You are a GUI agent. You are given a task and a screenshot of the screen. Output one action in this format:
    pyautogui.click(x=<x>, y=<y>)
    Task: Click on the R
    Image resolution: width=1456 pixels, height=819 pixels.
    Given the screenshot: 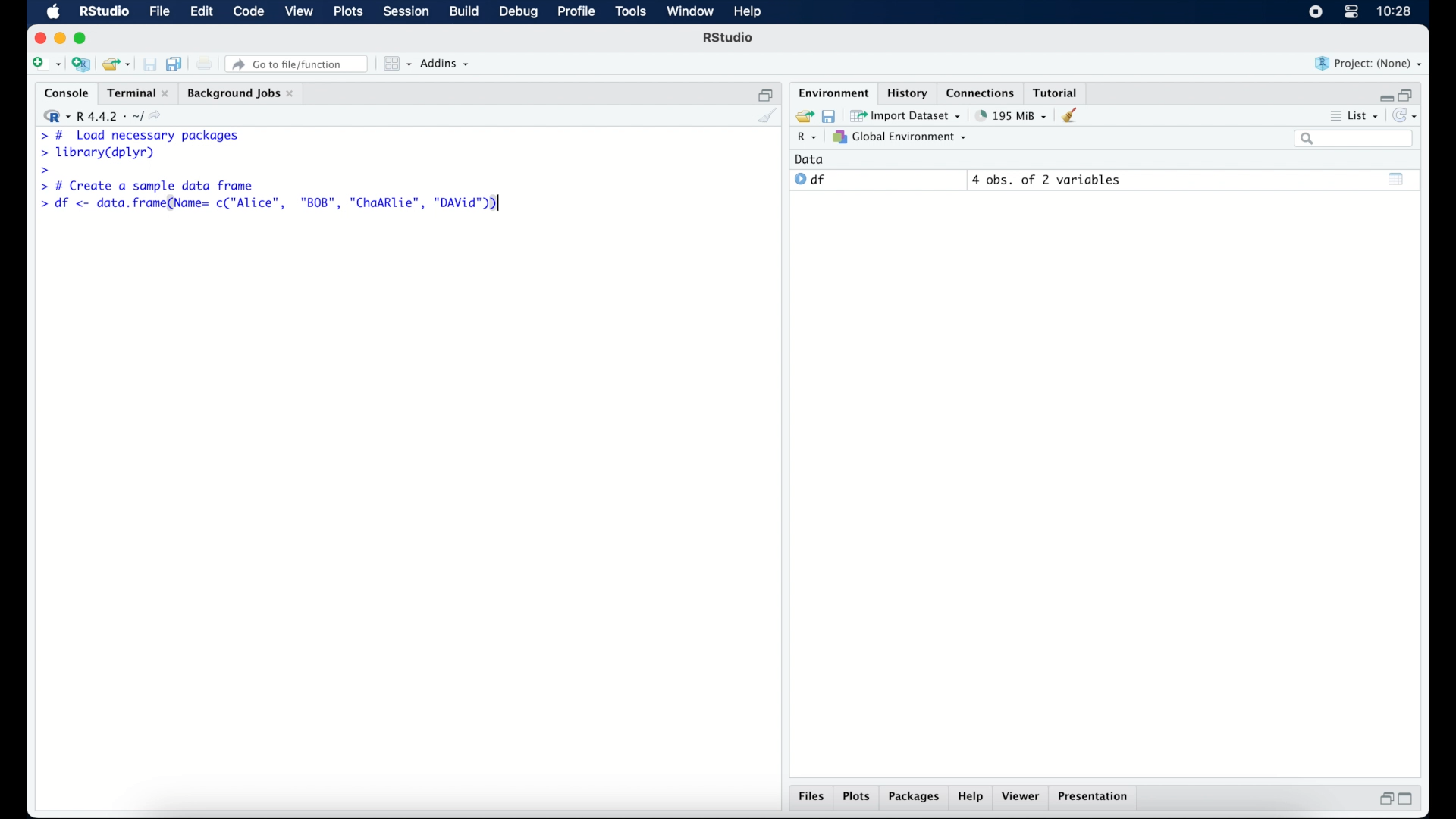 What is the action you would take?
    pyautogui.click(x=805, y=139)
    